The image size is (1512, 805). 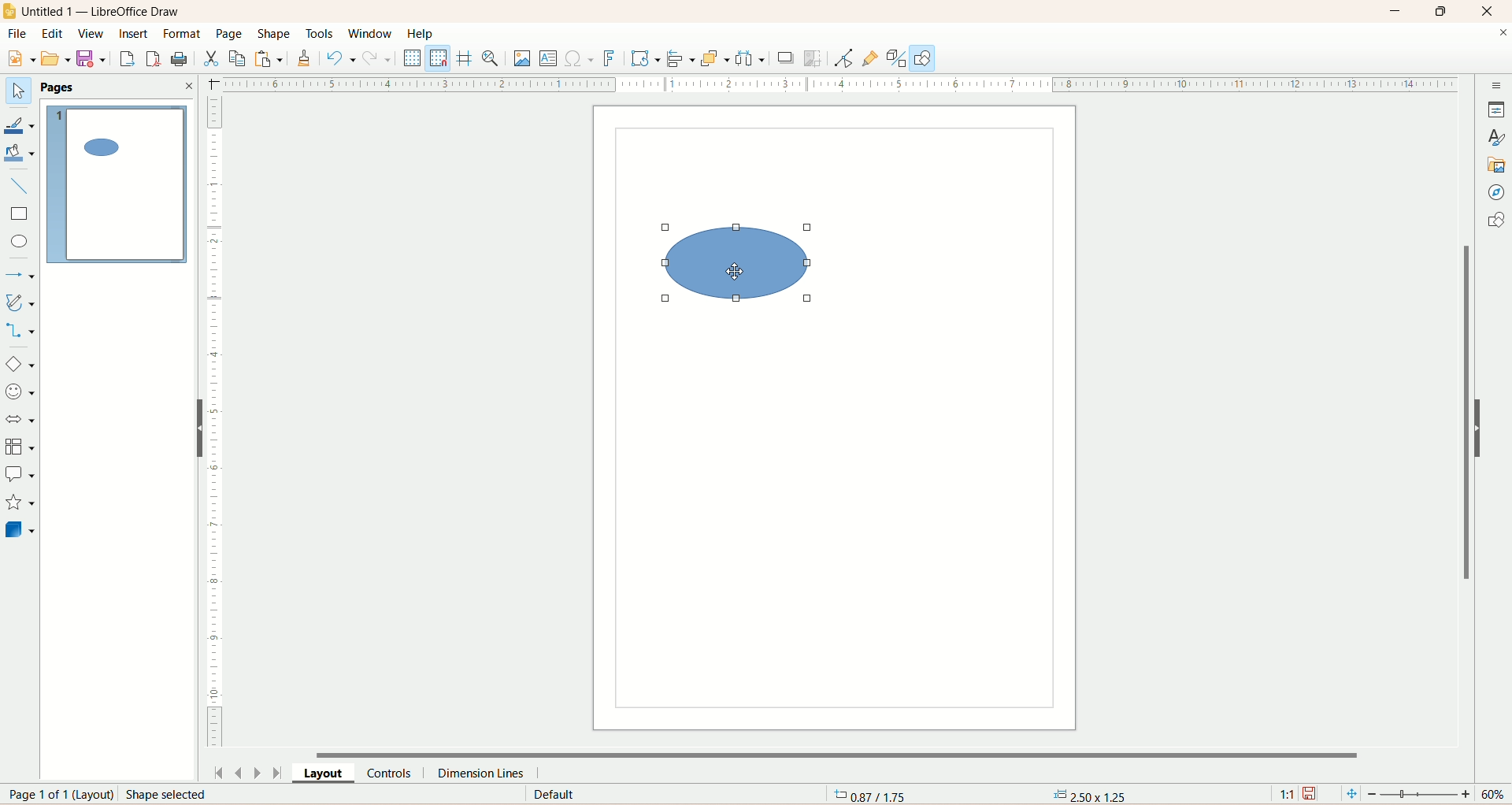 I want to click on , so click(x=522, y=58).